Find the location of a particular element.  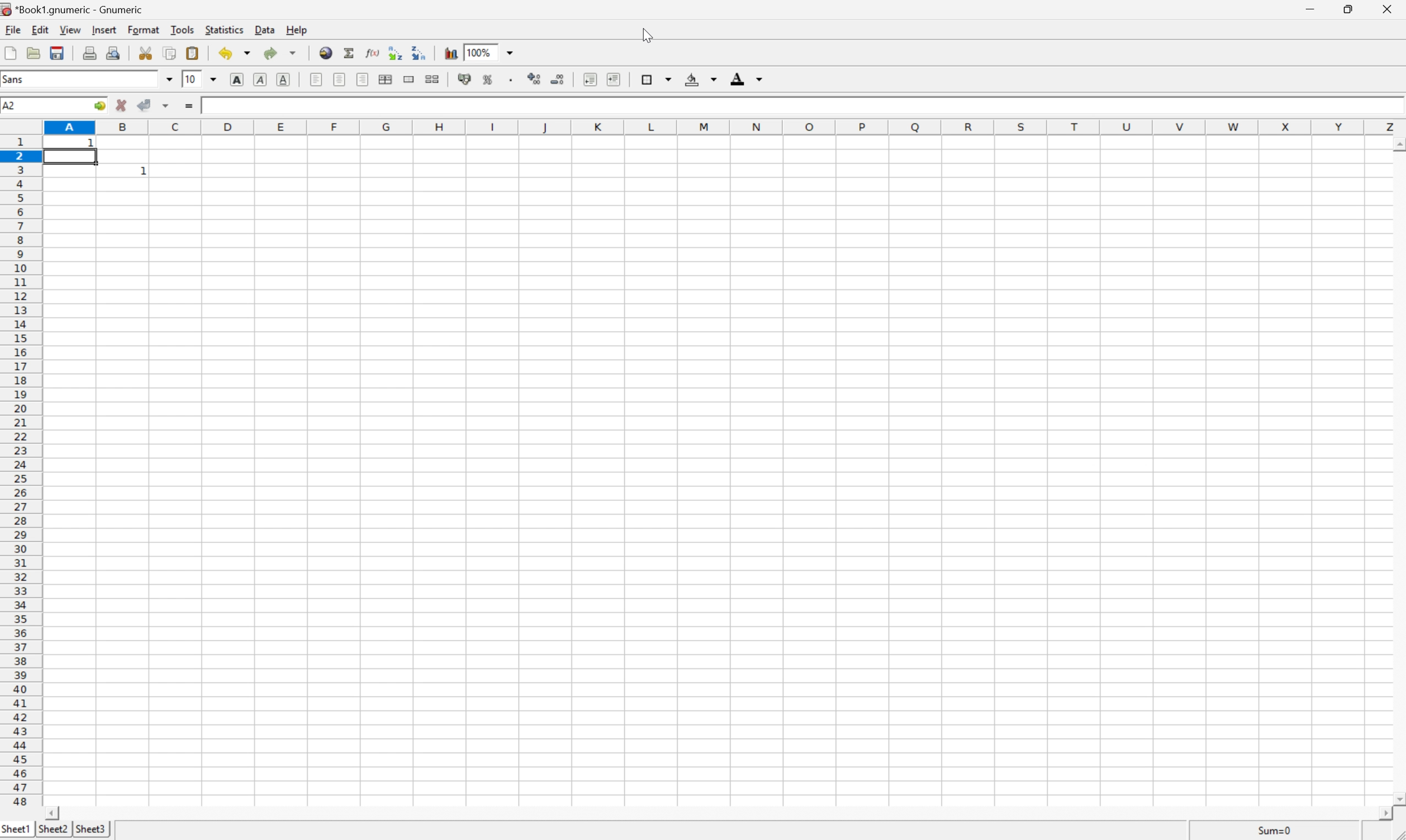

sum=0 is located at coordinates (1279, 833).